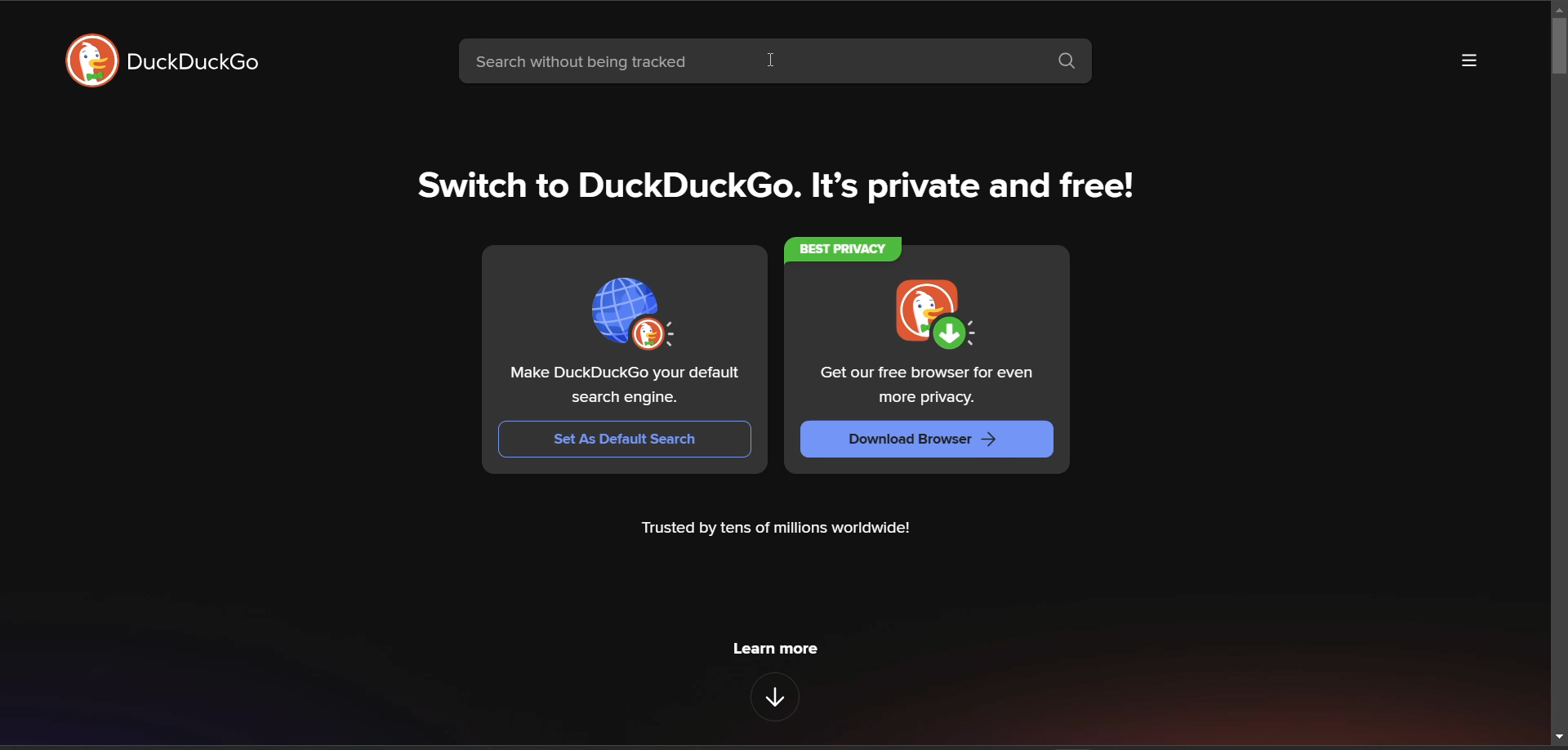  Describe the element at coordinates (87, 61) in the screenshot. I see `logo` at that location.